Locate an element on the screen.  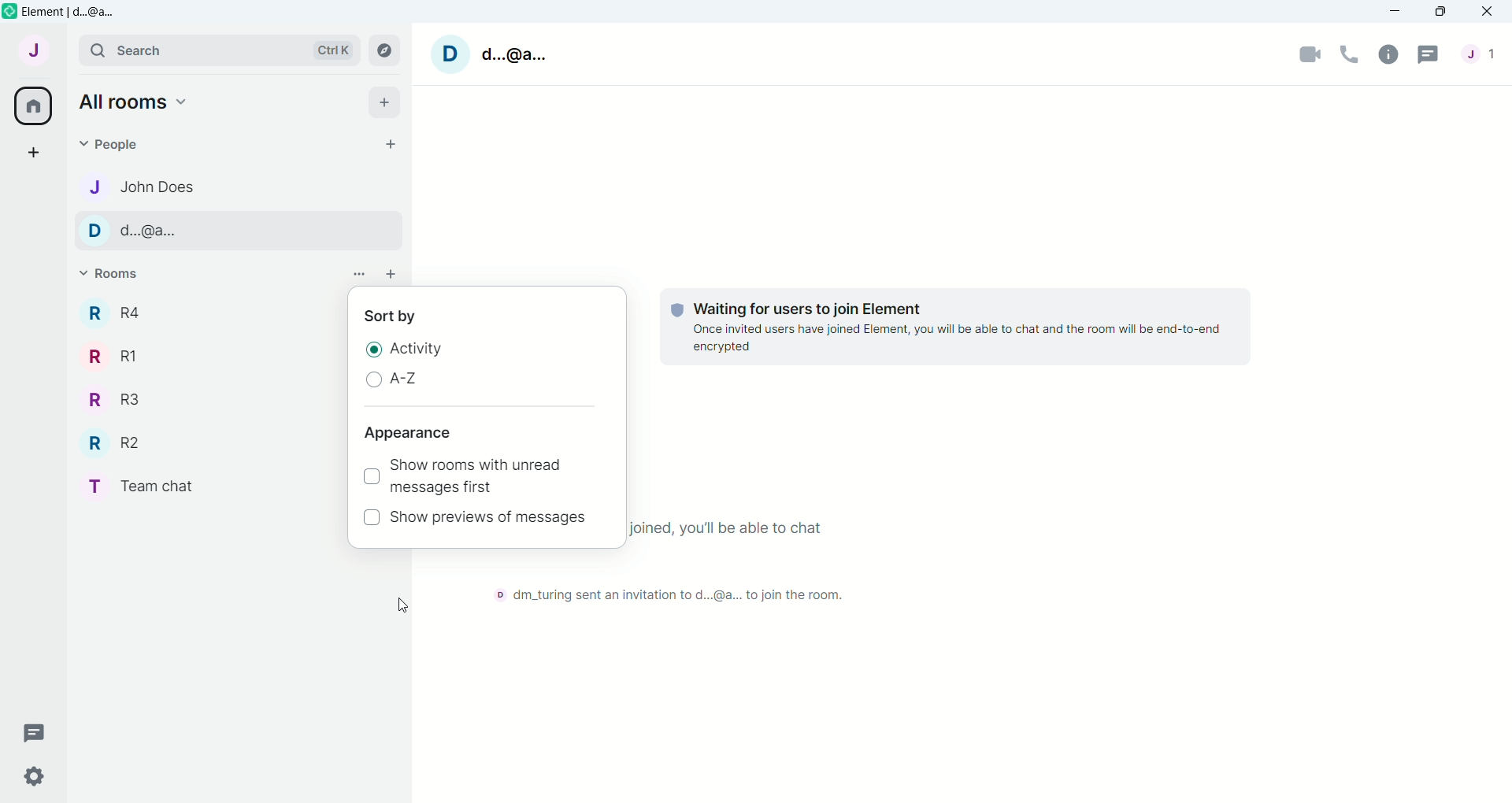
Unchecked checkbox is located at coordinates (371, 516).